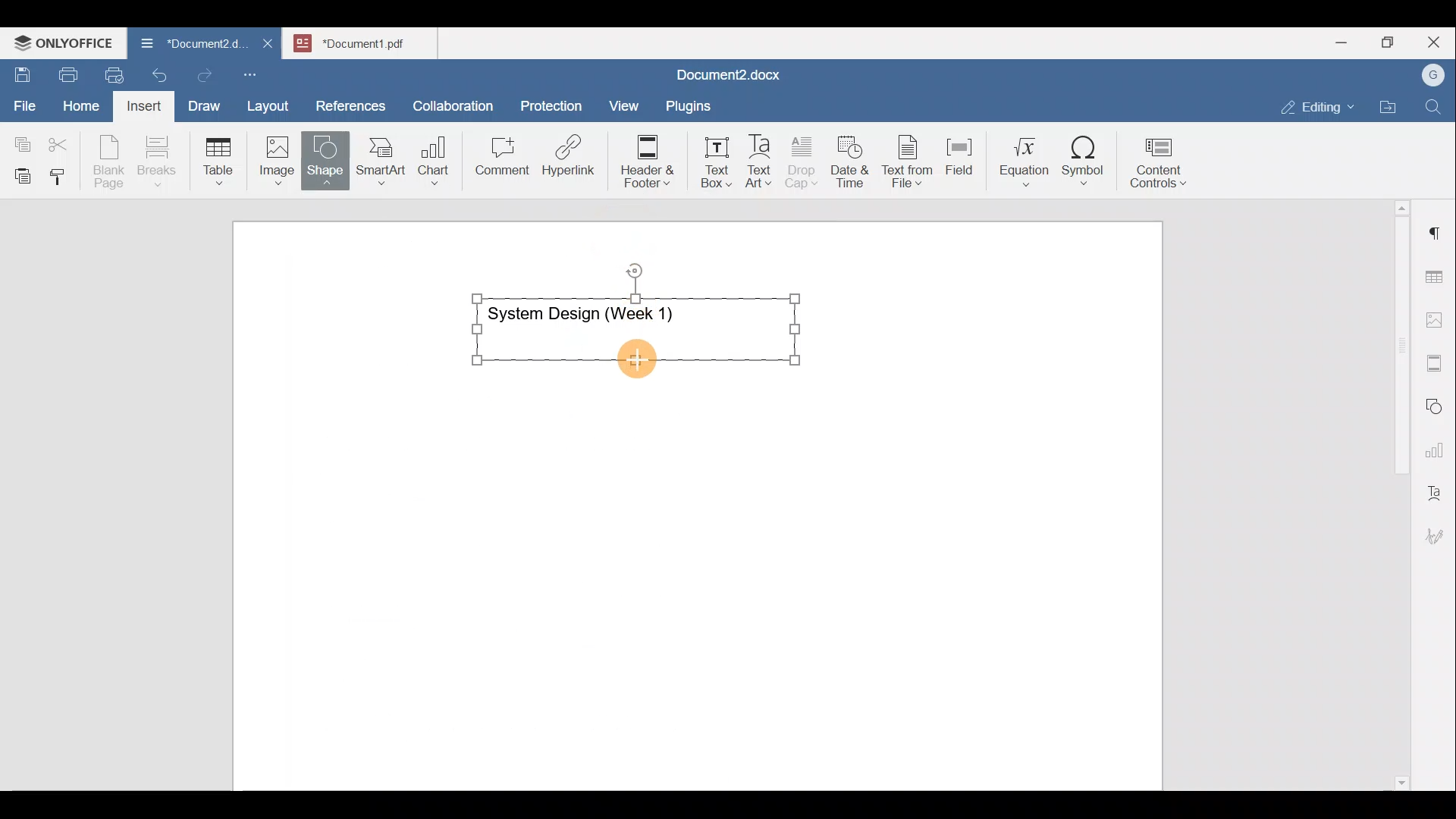 The image size is (1456, 819). What do you see at coordinates (1437, 359) in the screenshot?
I see `Headers & footers` at bounding box center [1437, 359].